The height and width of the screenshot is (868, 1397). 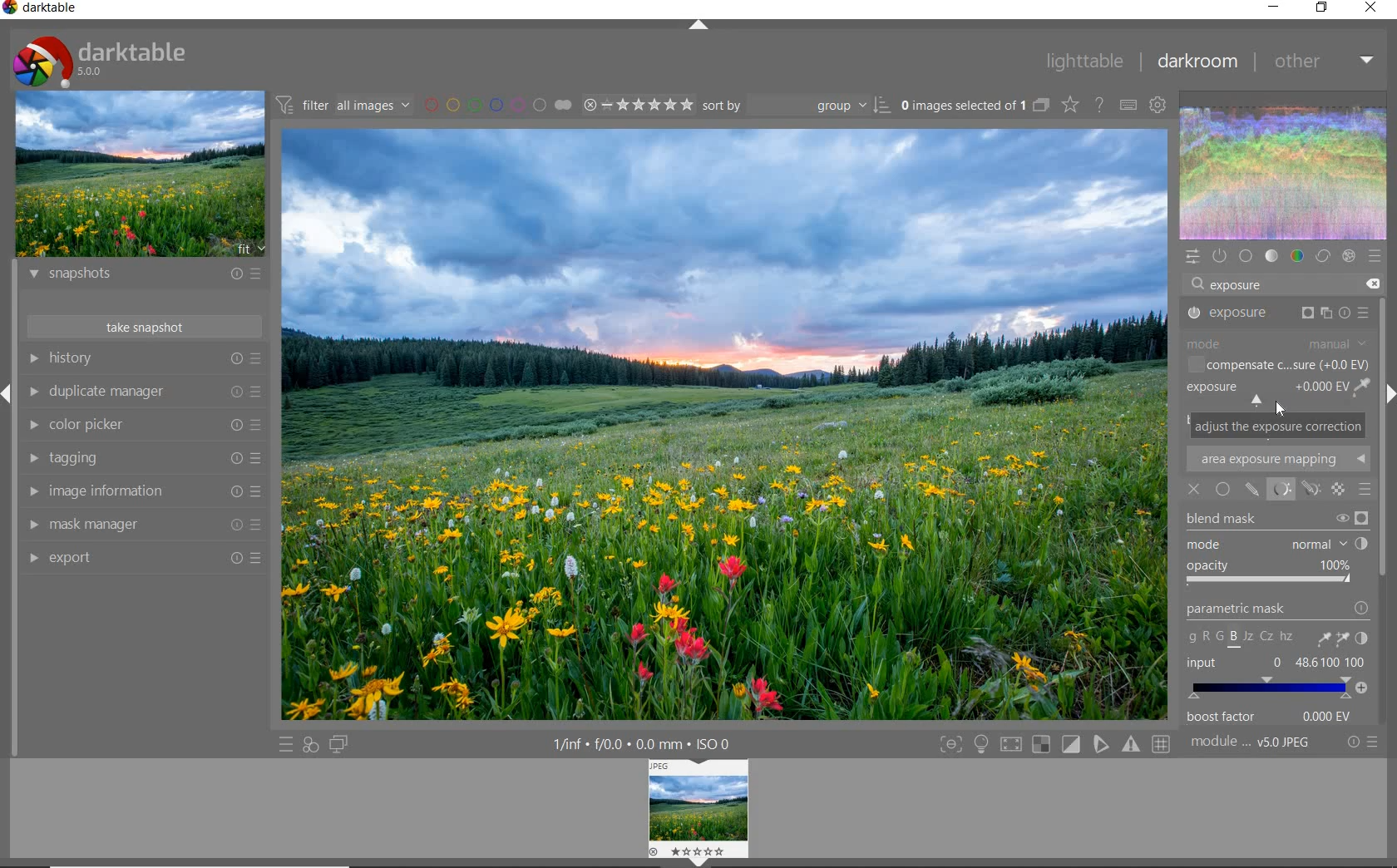 What do you see at coordinates (1098, 106) in the screenshot?
I see `enable online help` at bounding box center [1098, 106].